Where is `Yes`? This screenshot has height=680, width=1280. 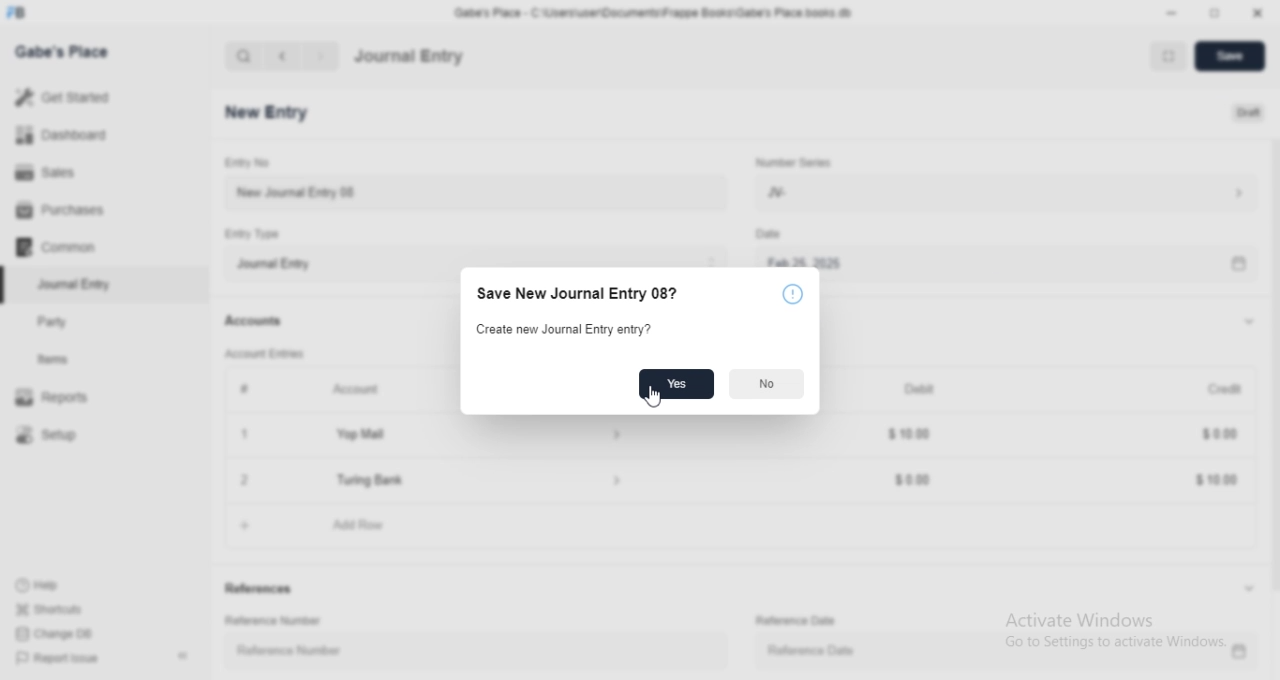
Yes is located at coordinates (678, 382).